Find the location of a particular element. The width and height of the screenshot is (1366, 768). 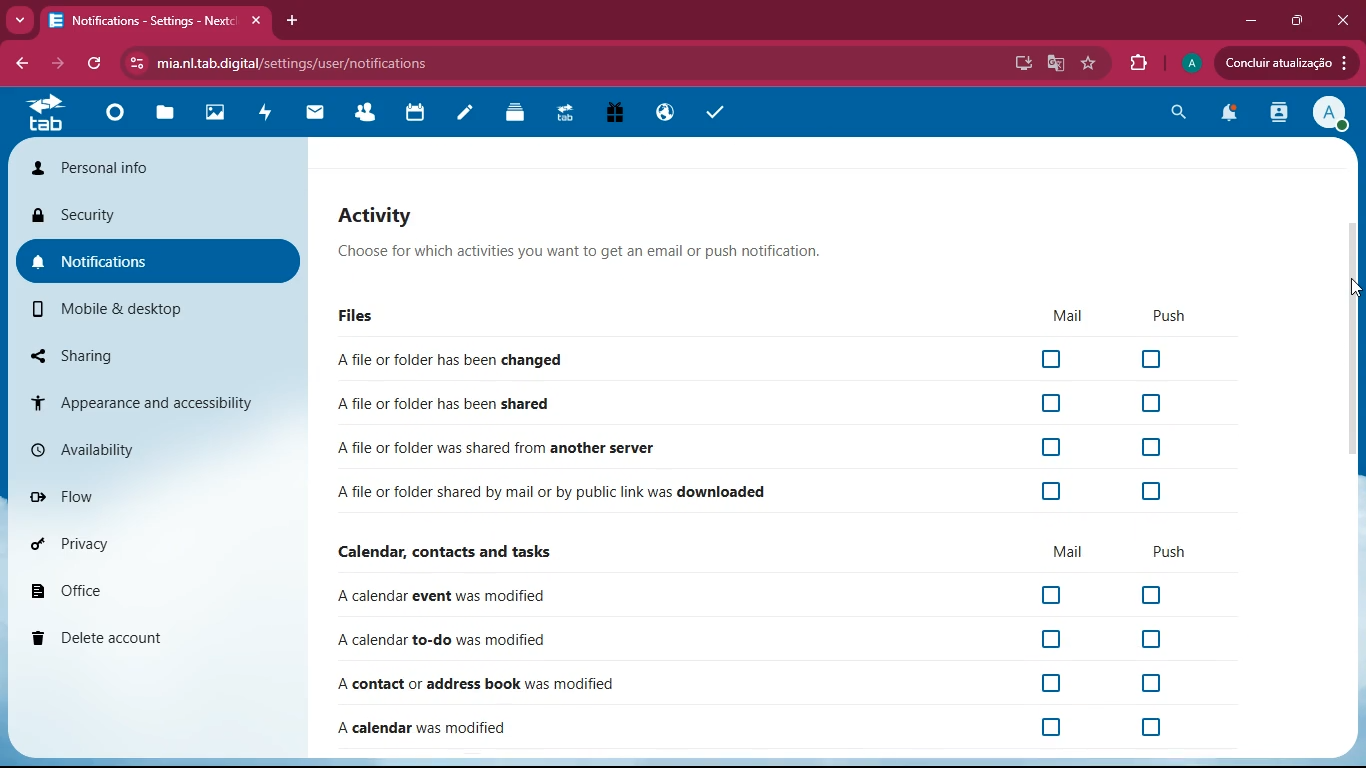

A calendar was modified is located at coordinates (425, 730).